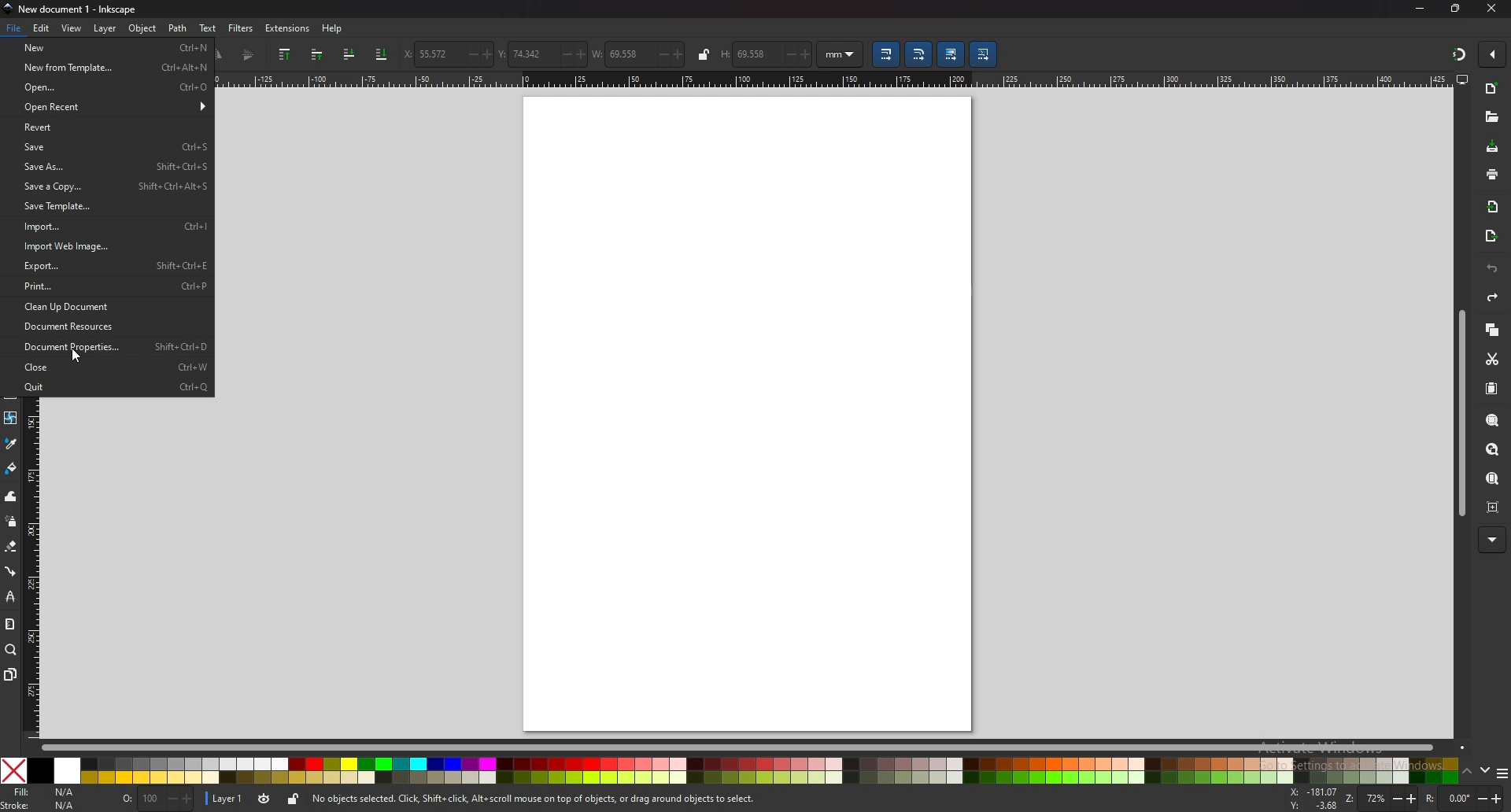 The height and width of the screenshot is (812, 1511). Describe the element at coordinates (1457, 54) in the screenshot. I see `snapping` at that location.